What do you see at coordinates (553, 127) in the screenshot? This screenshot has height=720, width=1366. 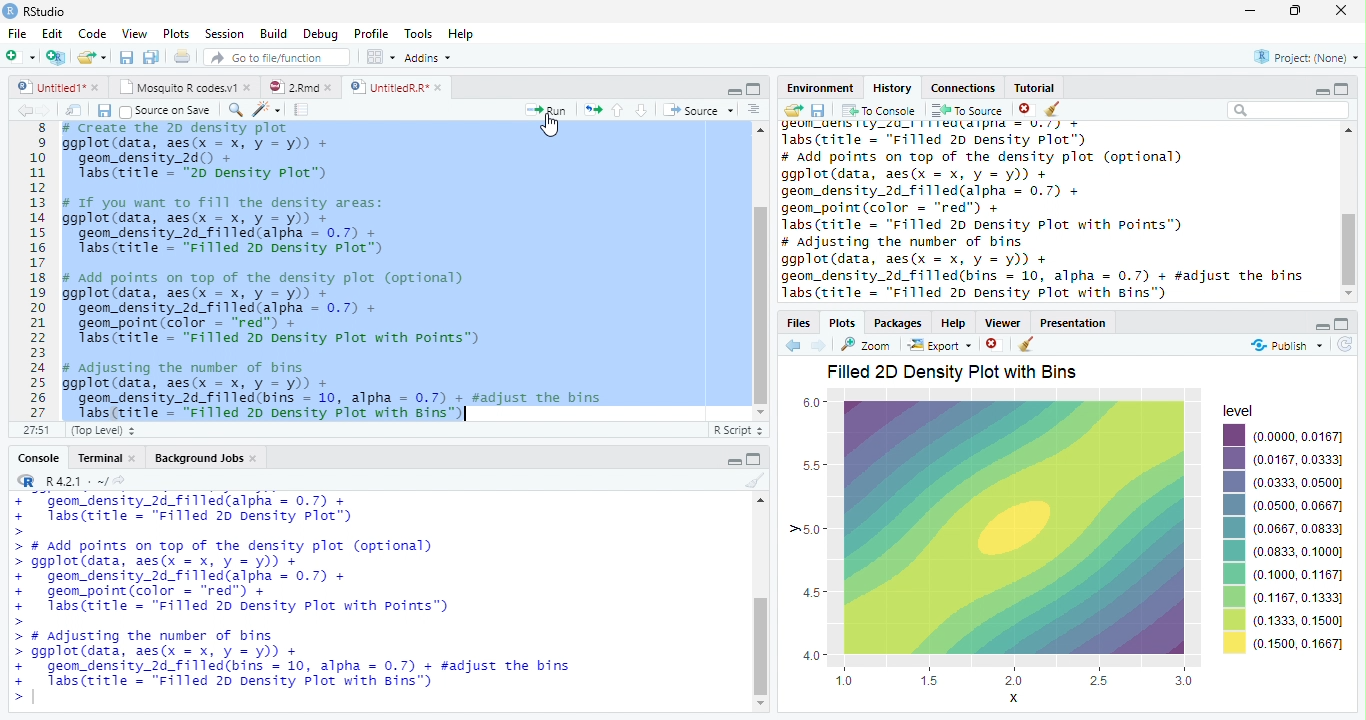 I see `cursor` at bounding box center [553, 127].